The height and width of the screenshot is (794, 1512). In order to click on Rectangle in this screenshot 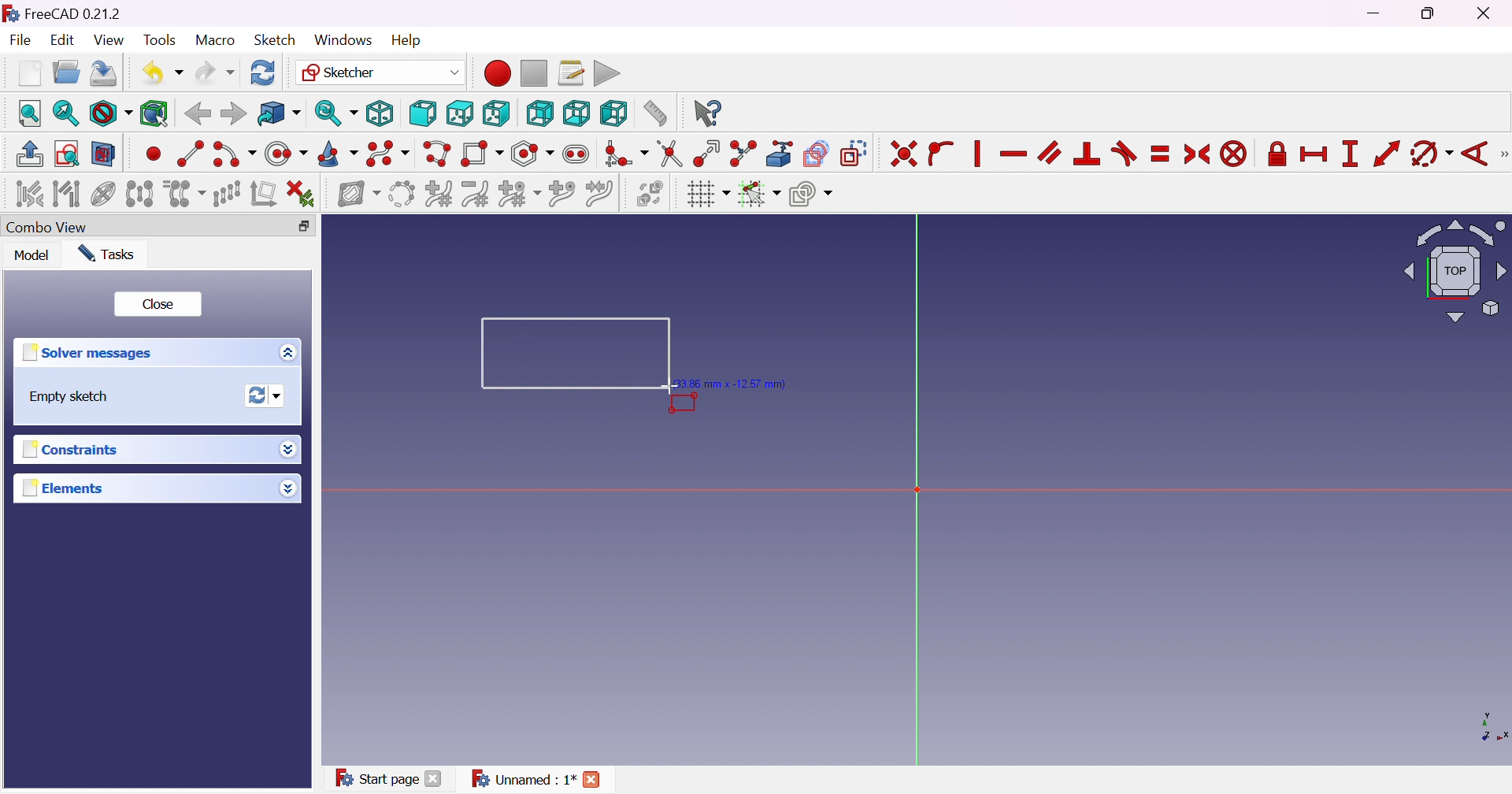, I will do `click(563, 354)`.